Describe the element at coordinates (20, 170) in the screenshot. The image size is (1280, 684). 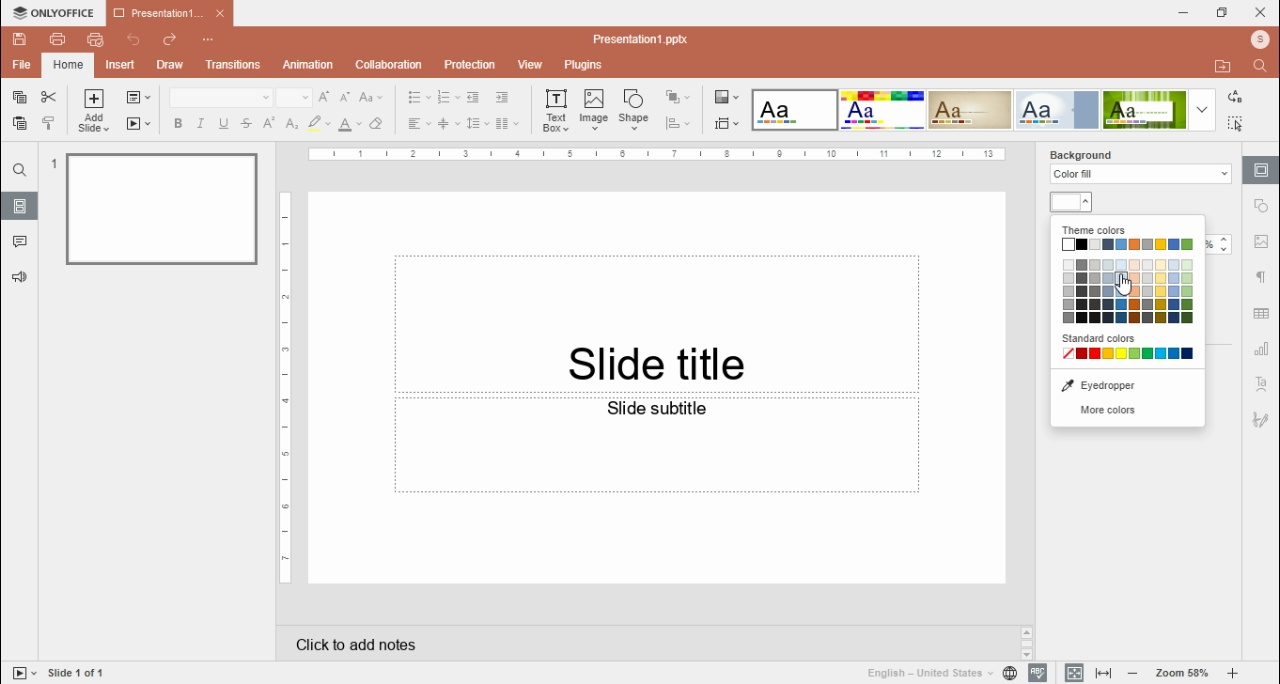
I see `find` at that location.